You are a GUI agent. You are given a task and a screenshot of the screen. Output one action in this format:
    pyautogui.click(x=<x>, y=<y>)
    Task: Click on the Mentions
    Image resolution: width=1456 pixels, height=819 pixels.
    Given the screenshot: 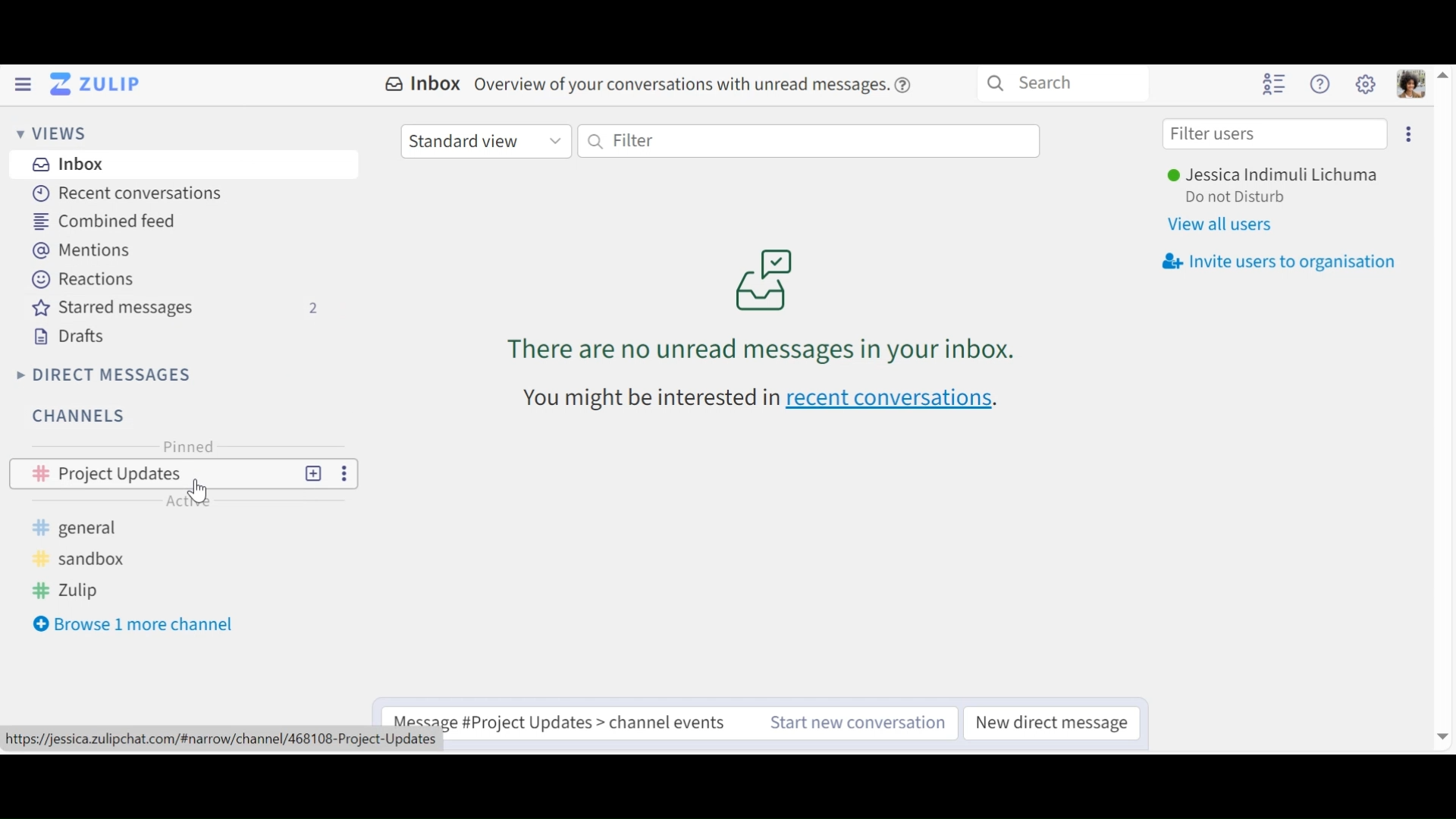 What is the action you would take?
    pyautogui.click(x=80, y=249)
    